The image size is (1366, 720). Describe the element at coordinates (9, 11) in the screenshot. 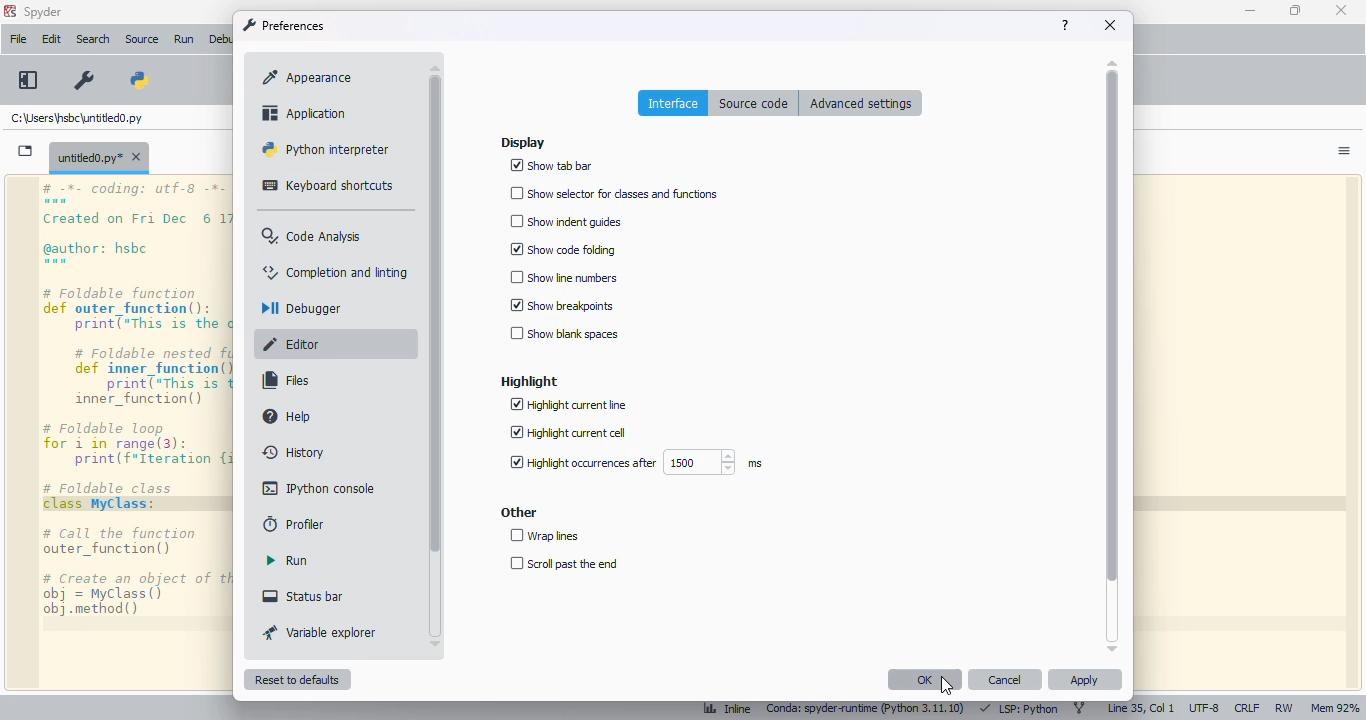

I see `logo` at that location.